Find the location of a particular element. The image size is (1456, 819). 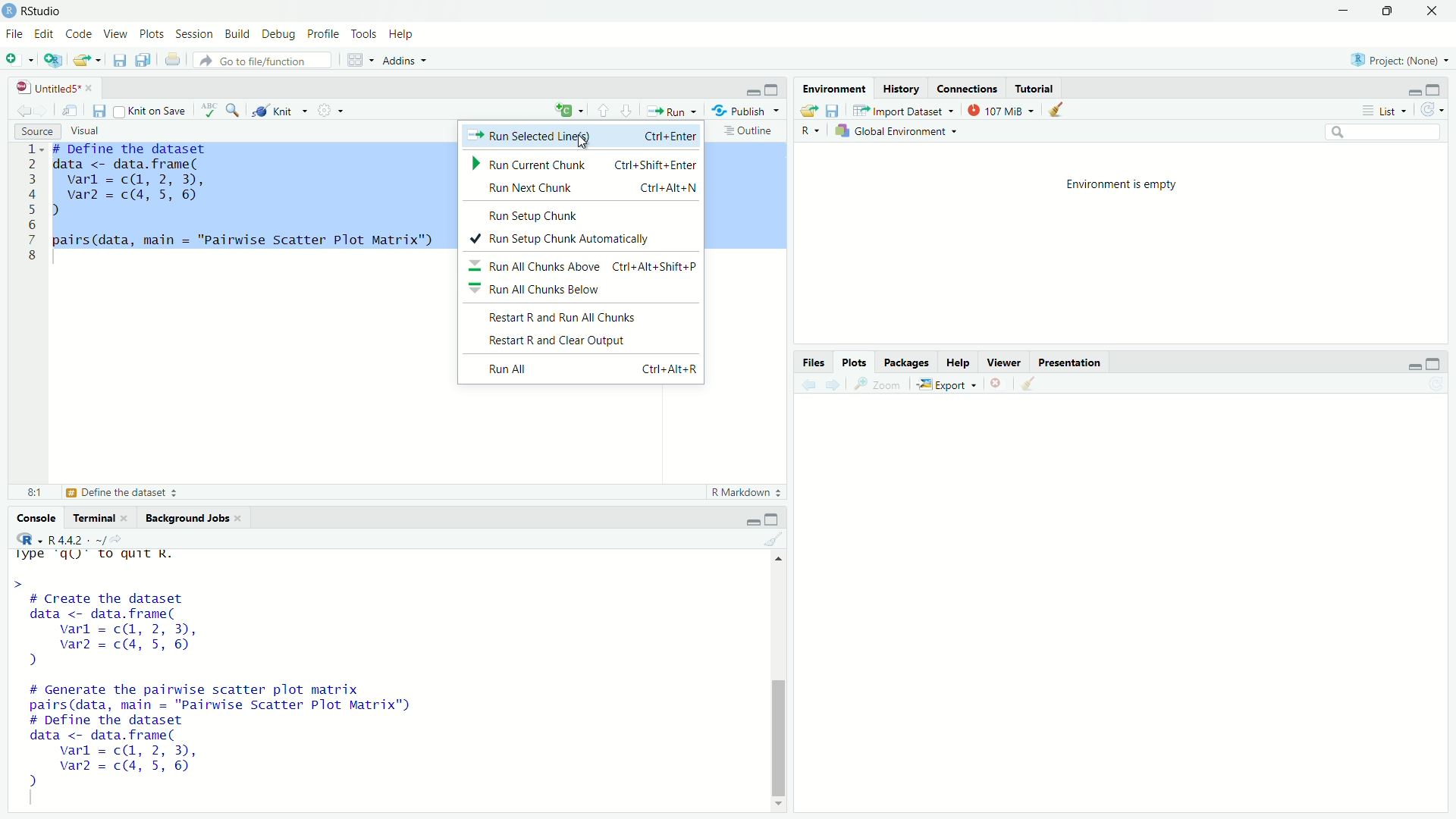

Help is located at coordinates (959, 362).